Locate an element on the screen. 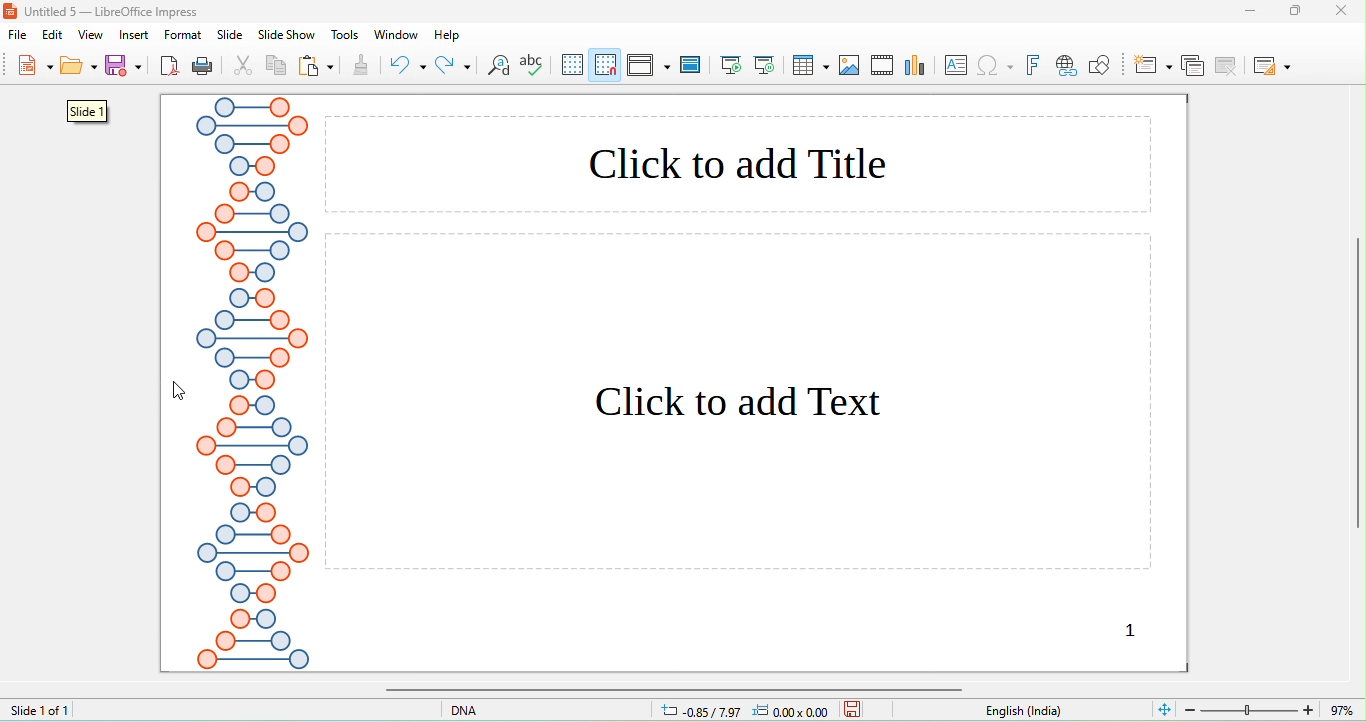 This screenshot has width=1366, height=722. window is located at coordinates (394, 34).